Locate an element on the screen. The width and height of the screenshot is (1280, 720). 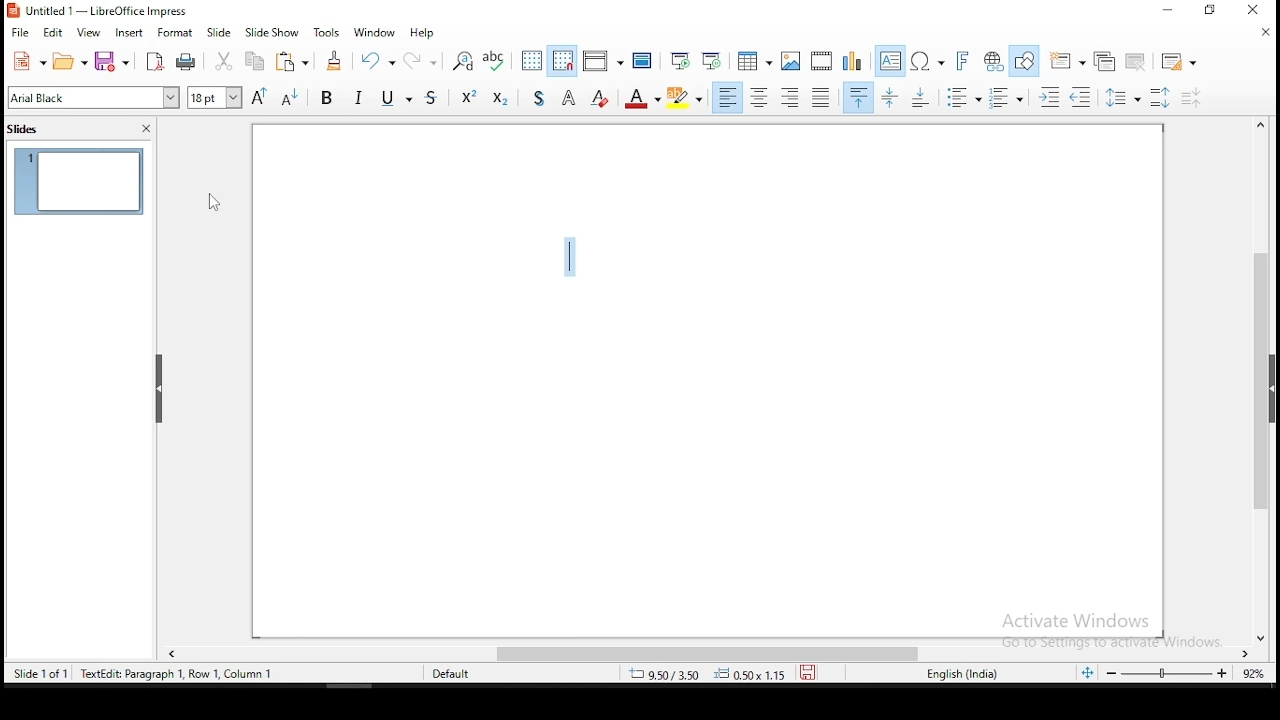
restore is located at coordinates (1210, 10).